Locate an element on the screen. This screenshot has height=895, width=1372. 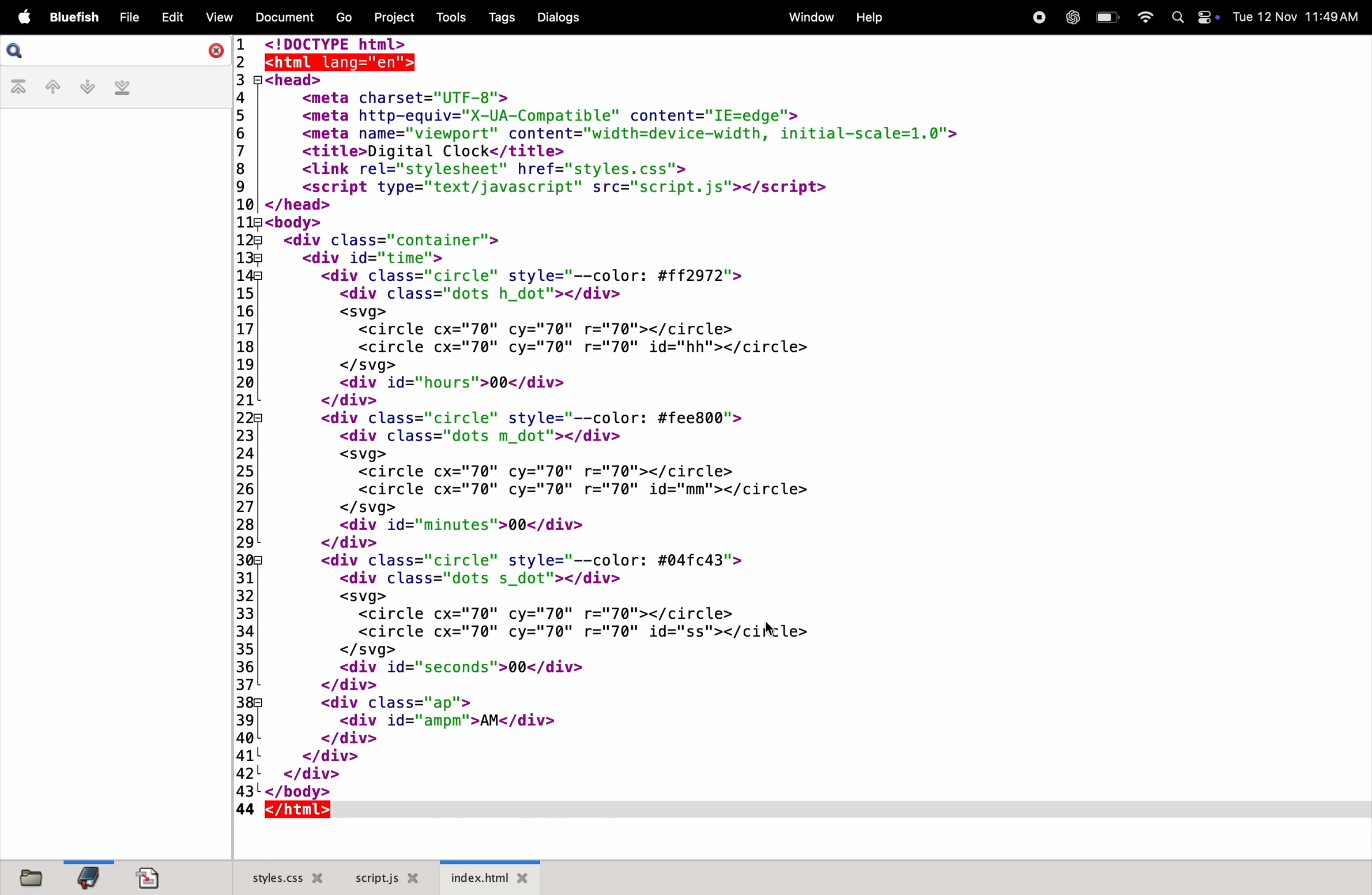
next bookmark is located at coordinates (85, 86).